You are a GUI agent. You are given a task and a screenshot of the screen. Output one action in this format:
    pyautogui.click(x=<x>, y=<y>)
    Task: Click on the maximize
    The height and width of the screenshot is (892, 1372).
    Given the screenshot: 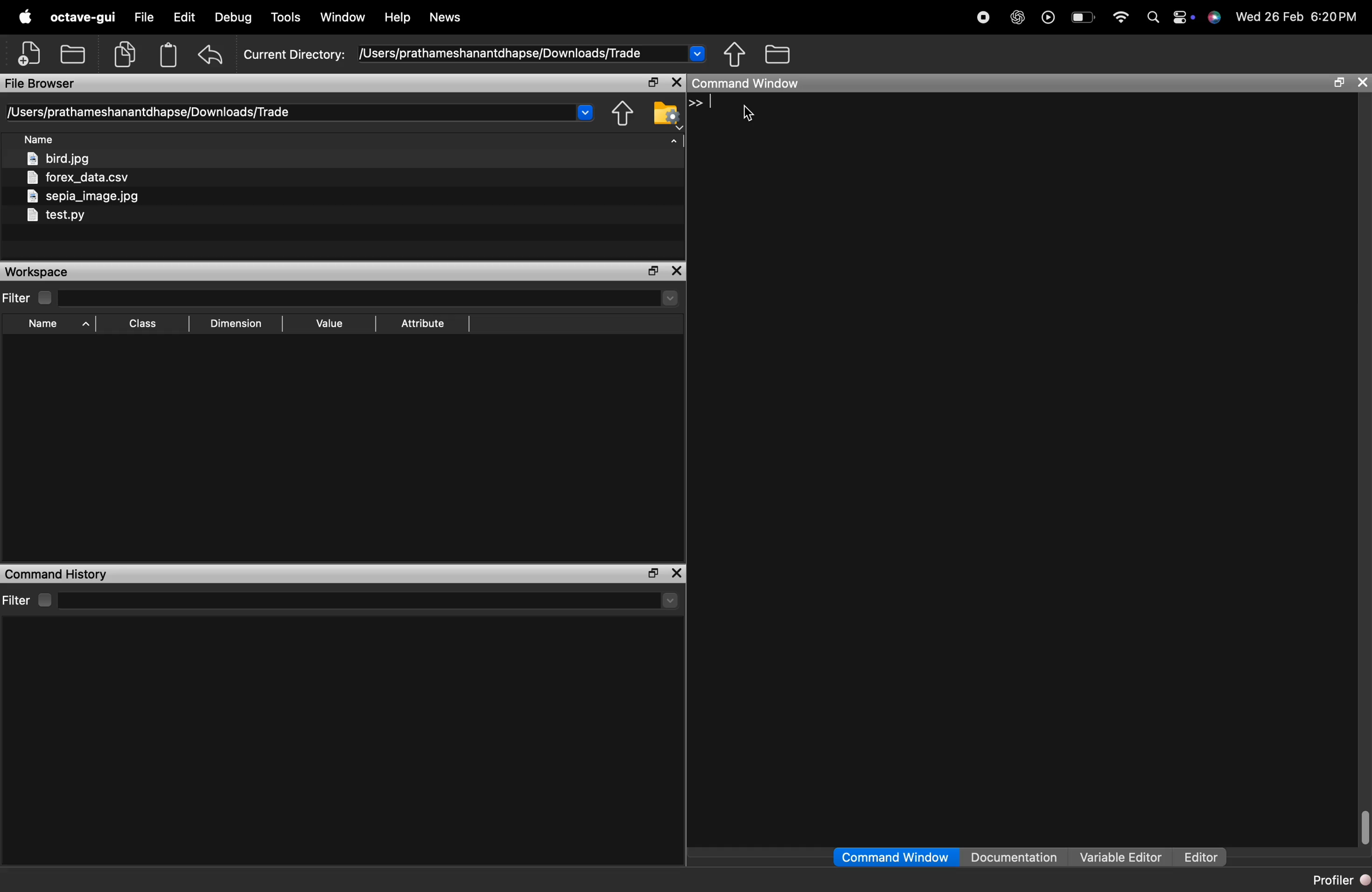 What is the action you would take?
    pyautogui.click(x=653, y=272)
    